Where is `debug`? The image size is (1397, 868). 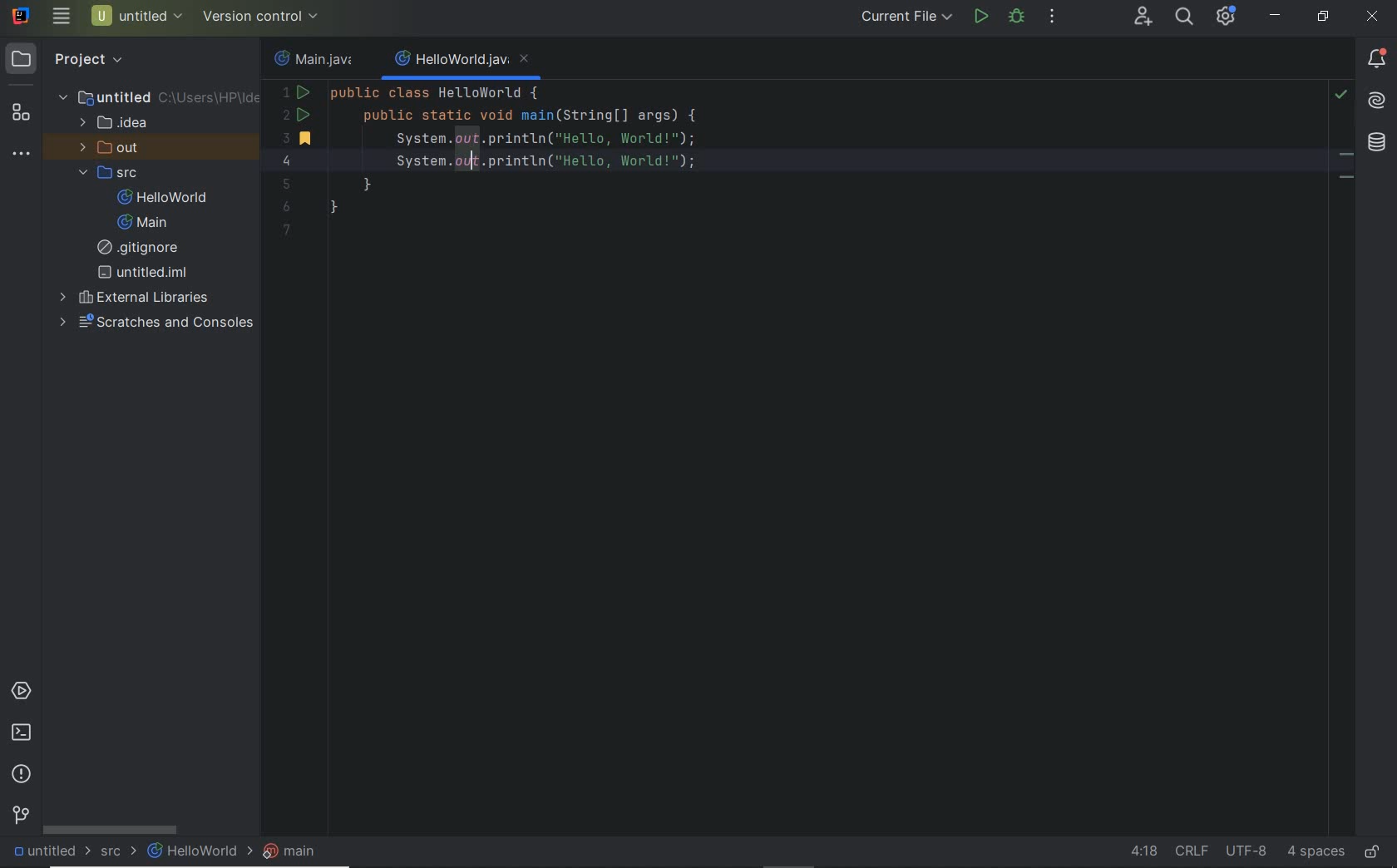 debug is located at coordinates (1015, 16).